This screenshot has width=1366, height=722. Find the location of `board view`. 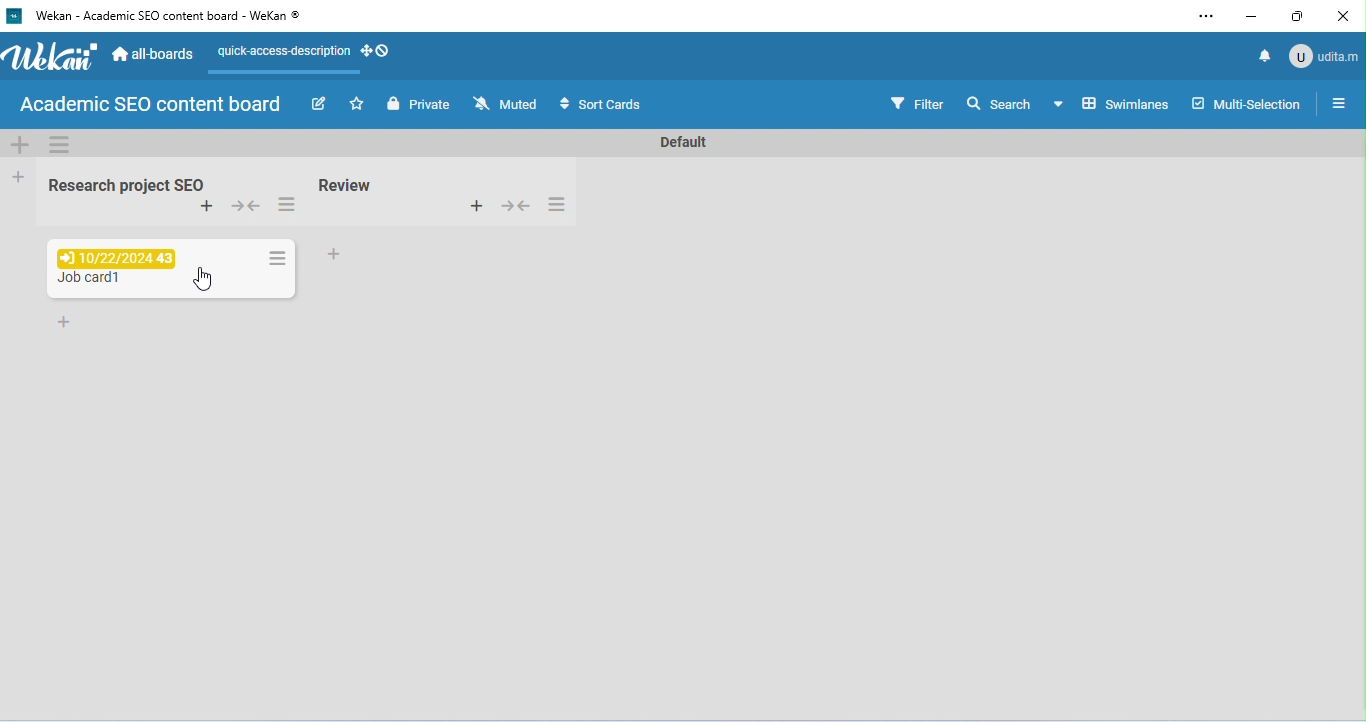

board view is located at coordinates (1110, 103).